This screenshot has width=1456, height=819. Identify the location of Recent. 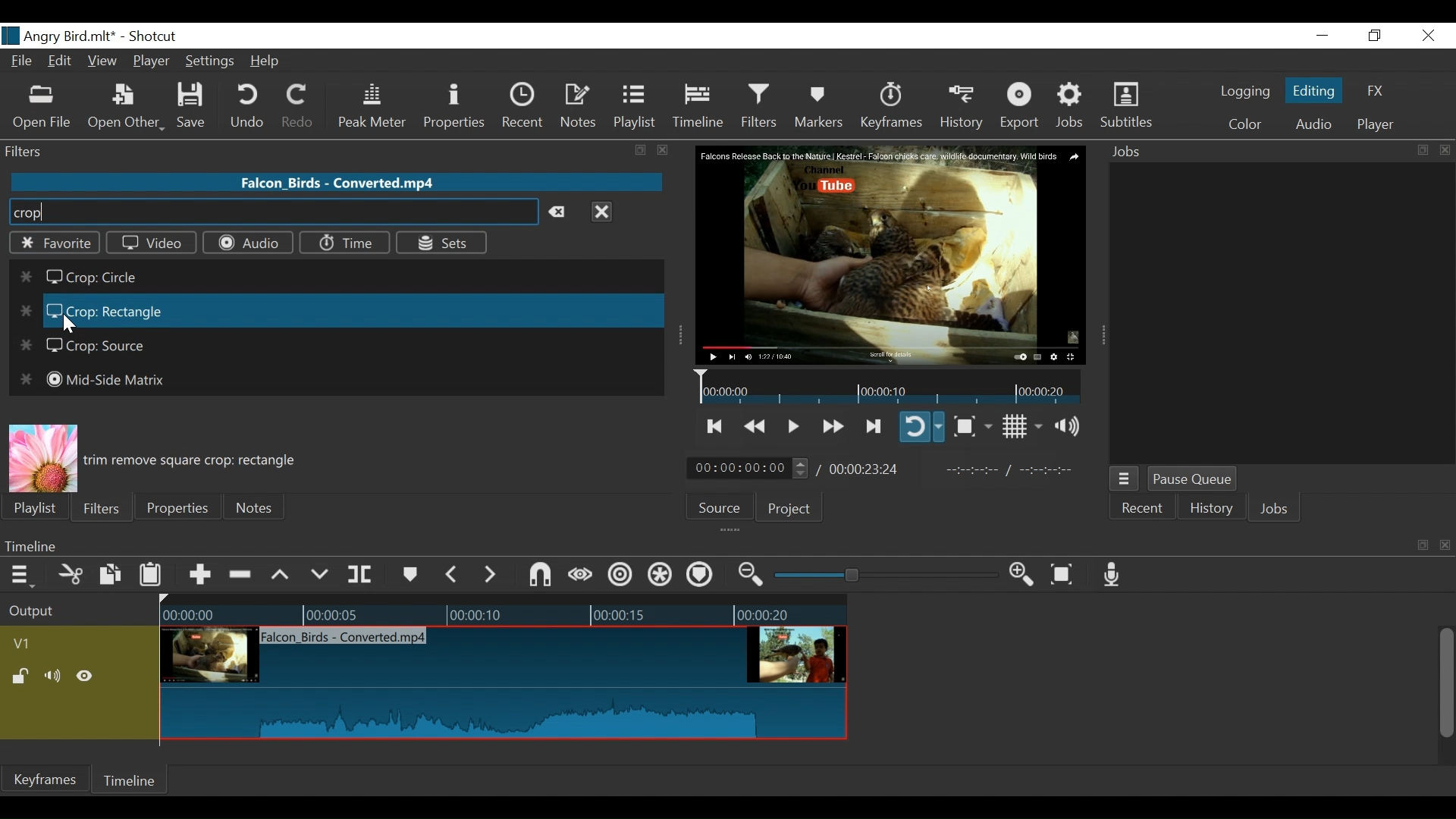
(1141, 510).